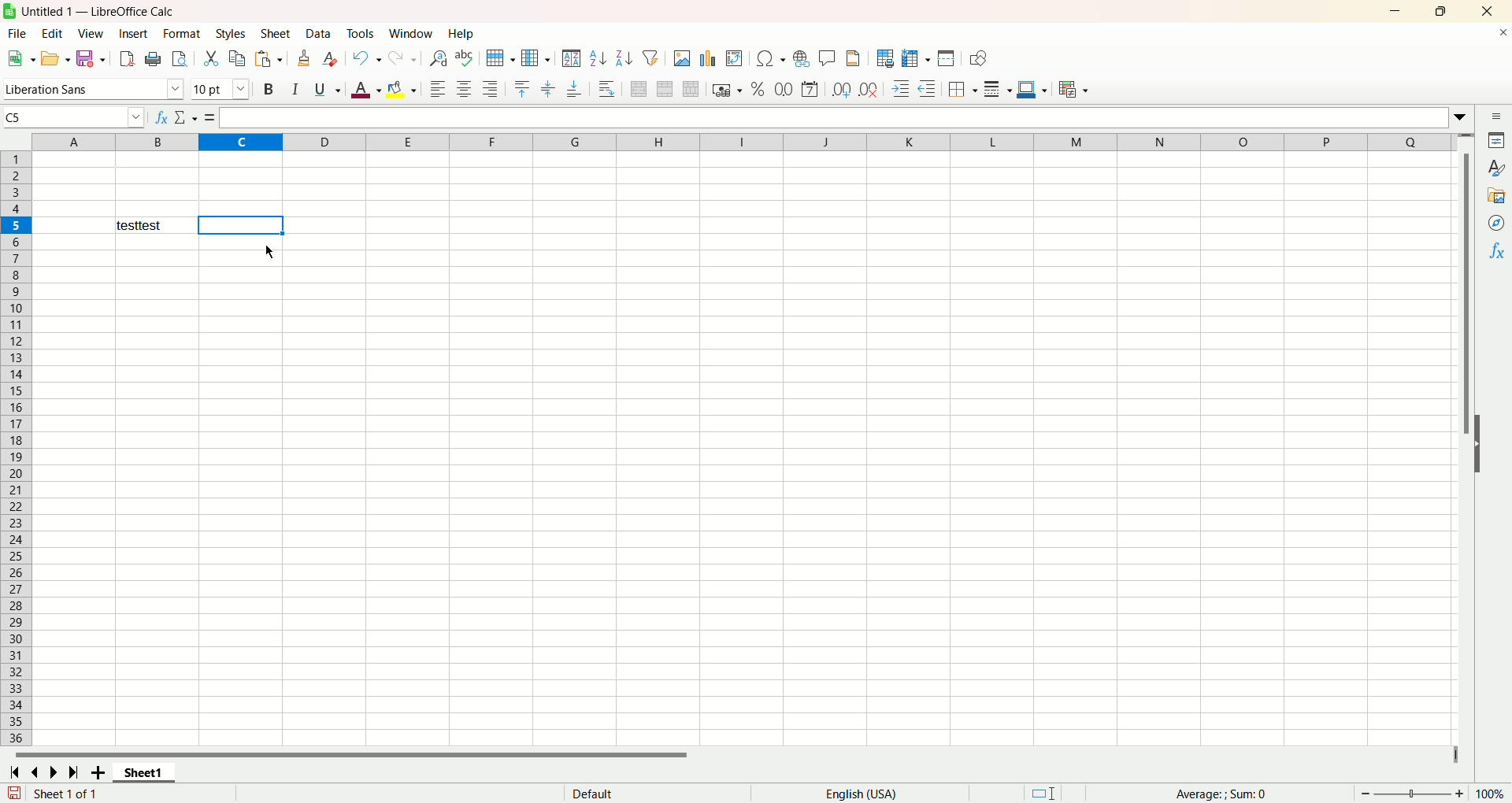 This screenshot has height=803, width=1512. What do you see at coordinates (772, 58) in the screenshot?
I see `insert special character` at bounding box center [772, 58].